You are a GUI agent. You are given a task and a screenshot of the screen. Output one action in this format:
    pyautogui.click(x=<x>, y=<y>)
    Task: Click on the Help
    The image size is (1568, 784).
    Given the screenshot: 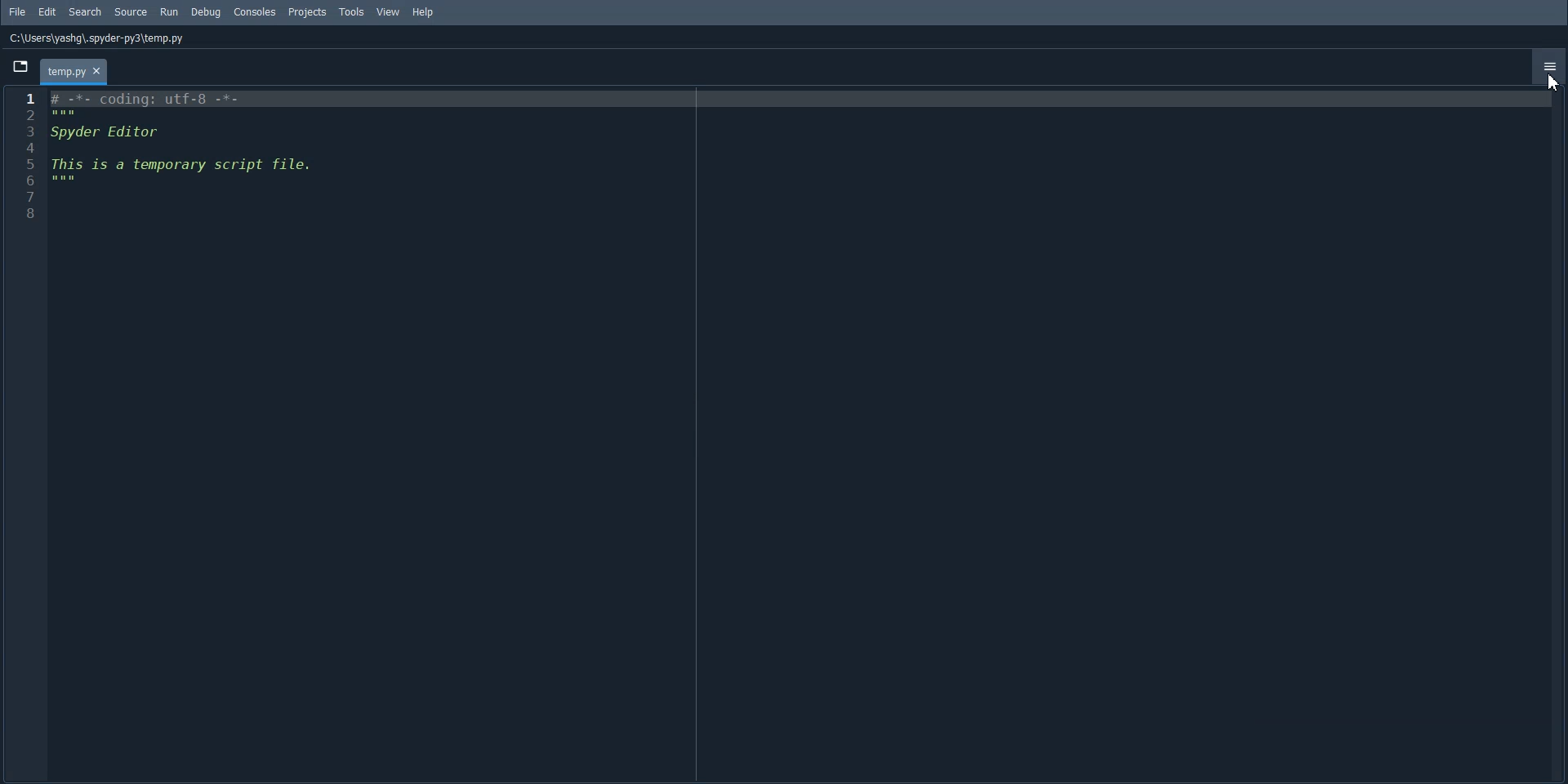 What is the action you would take?
    pyautogui.click(x=421, y=11)
    